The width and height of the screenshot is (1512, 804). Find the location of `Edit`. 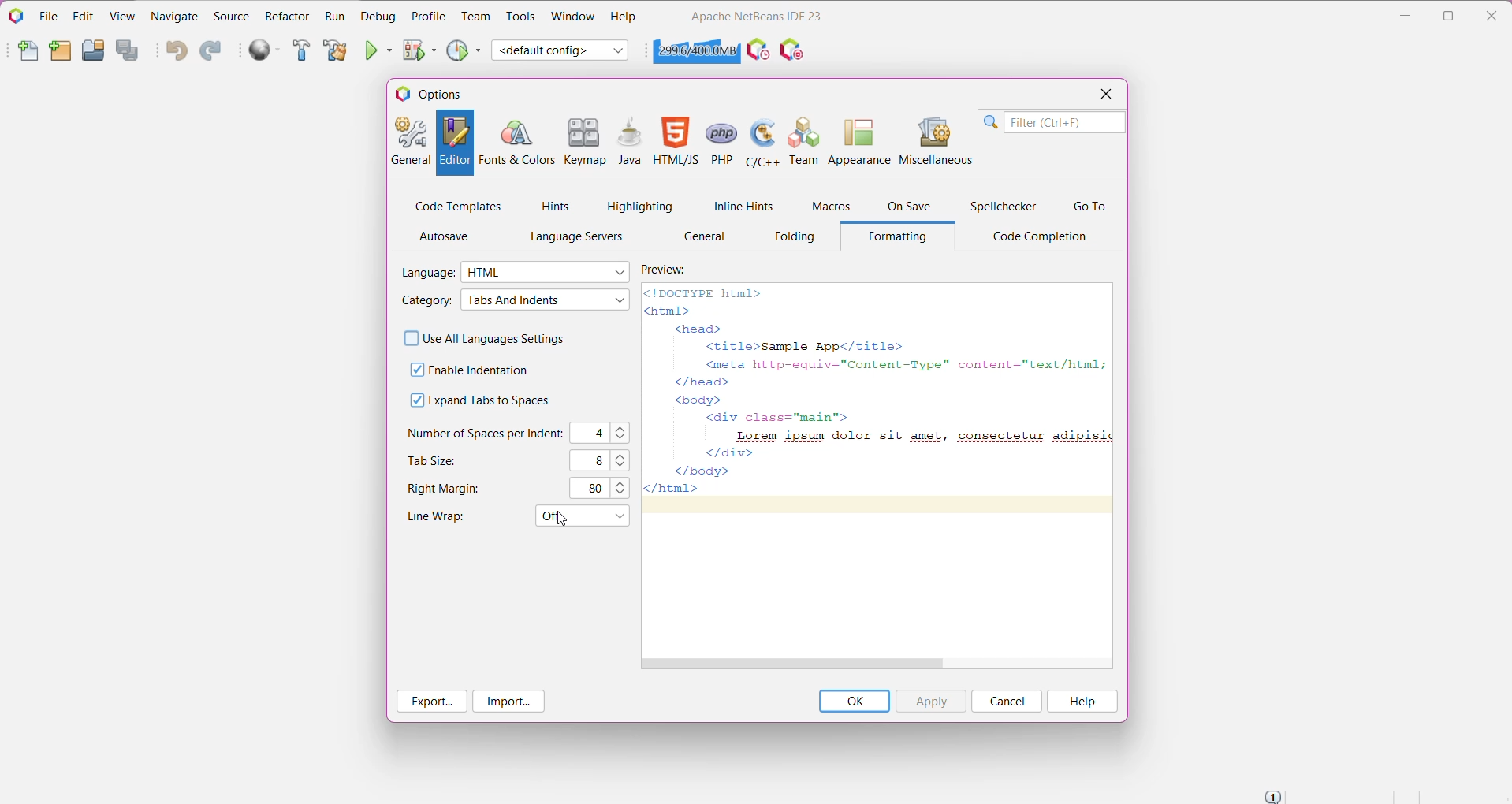

Edit is located at coordinates (81, 16).